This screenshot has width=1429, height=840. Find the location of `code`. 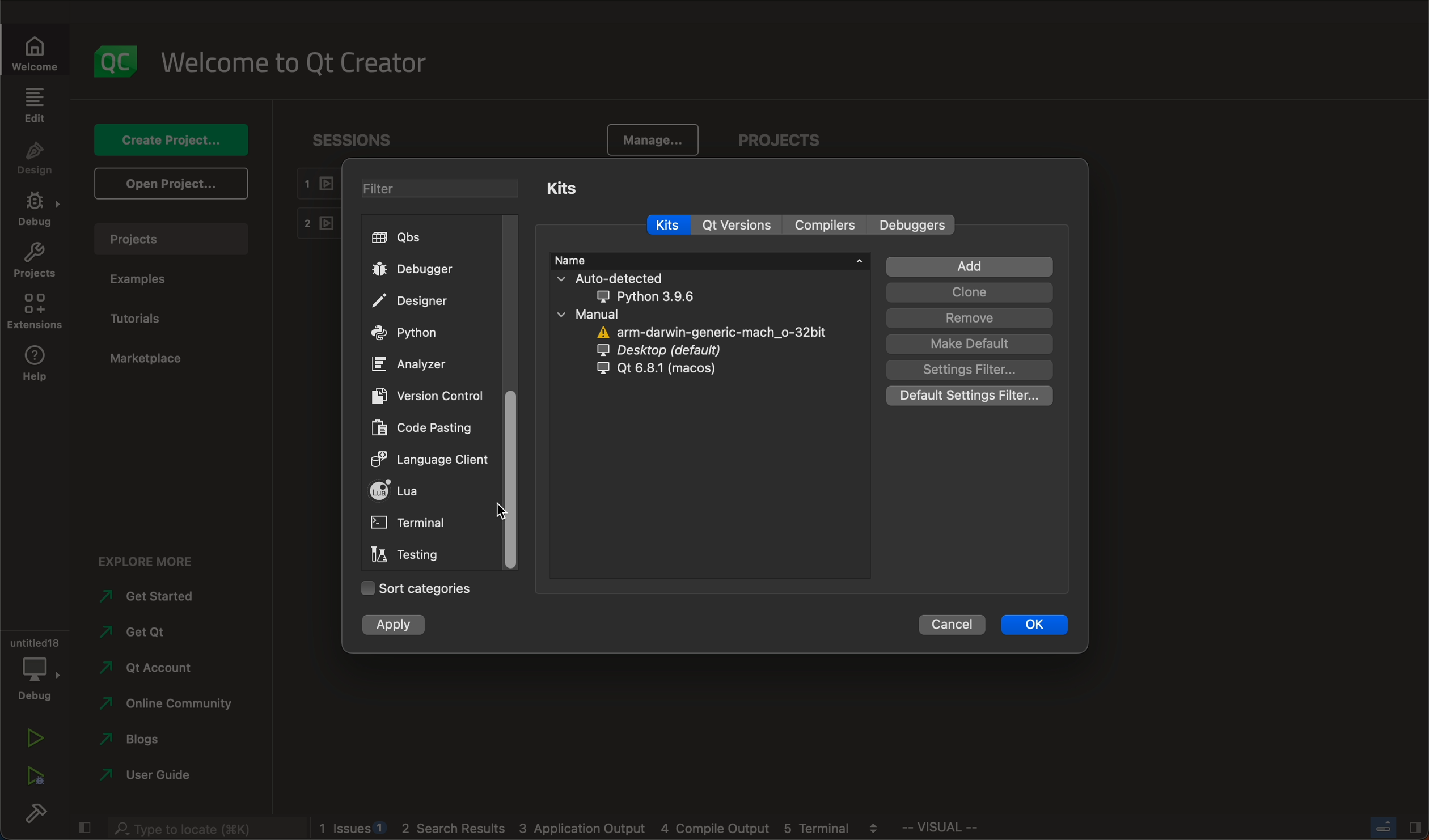

code is located at coordinates (424, 429).